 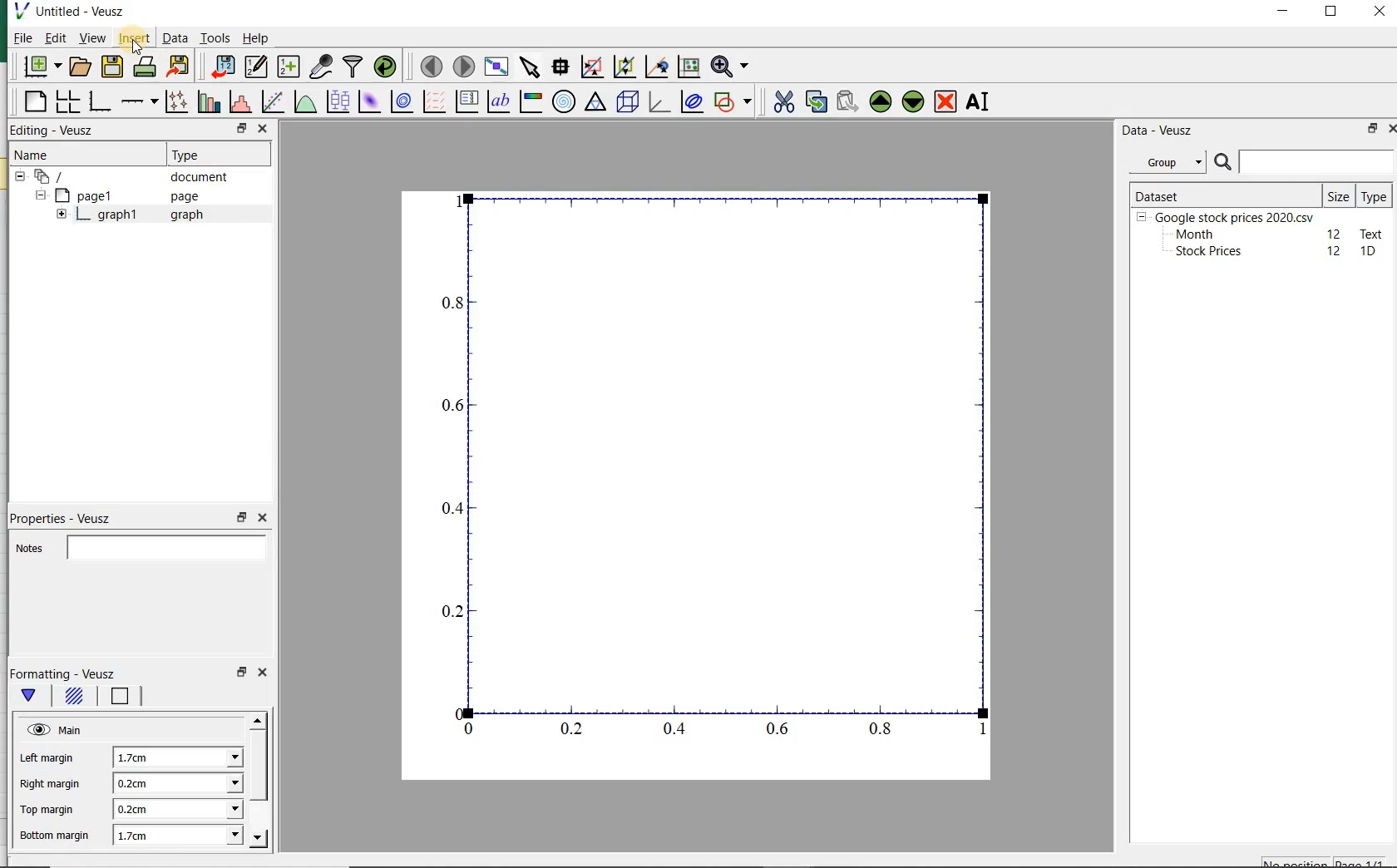 What do you see at coordinates (1370, 252) in the screenshot?
I see `1D` at bounding box center [1370, 252].